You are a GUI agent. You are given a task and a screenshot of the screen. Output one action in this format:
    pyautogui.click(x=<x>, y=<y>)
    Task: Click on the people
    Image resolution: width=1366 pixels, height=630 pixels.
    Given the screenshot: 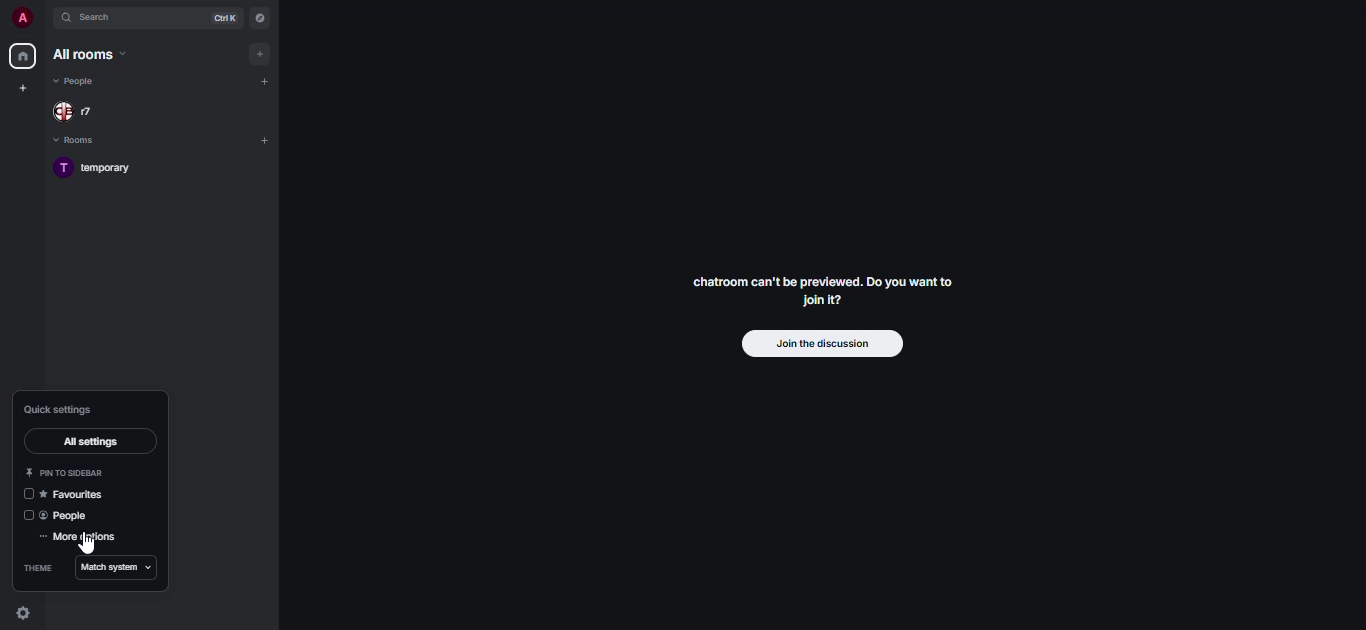 What is the action you would take?
    pyautogui.click(x=82, y=112)
    